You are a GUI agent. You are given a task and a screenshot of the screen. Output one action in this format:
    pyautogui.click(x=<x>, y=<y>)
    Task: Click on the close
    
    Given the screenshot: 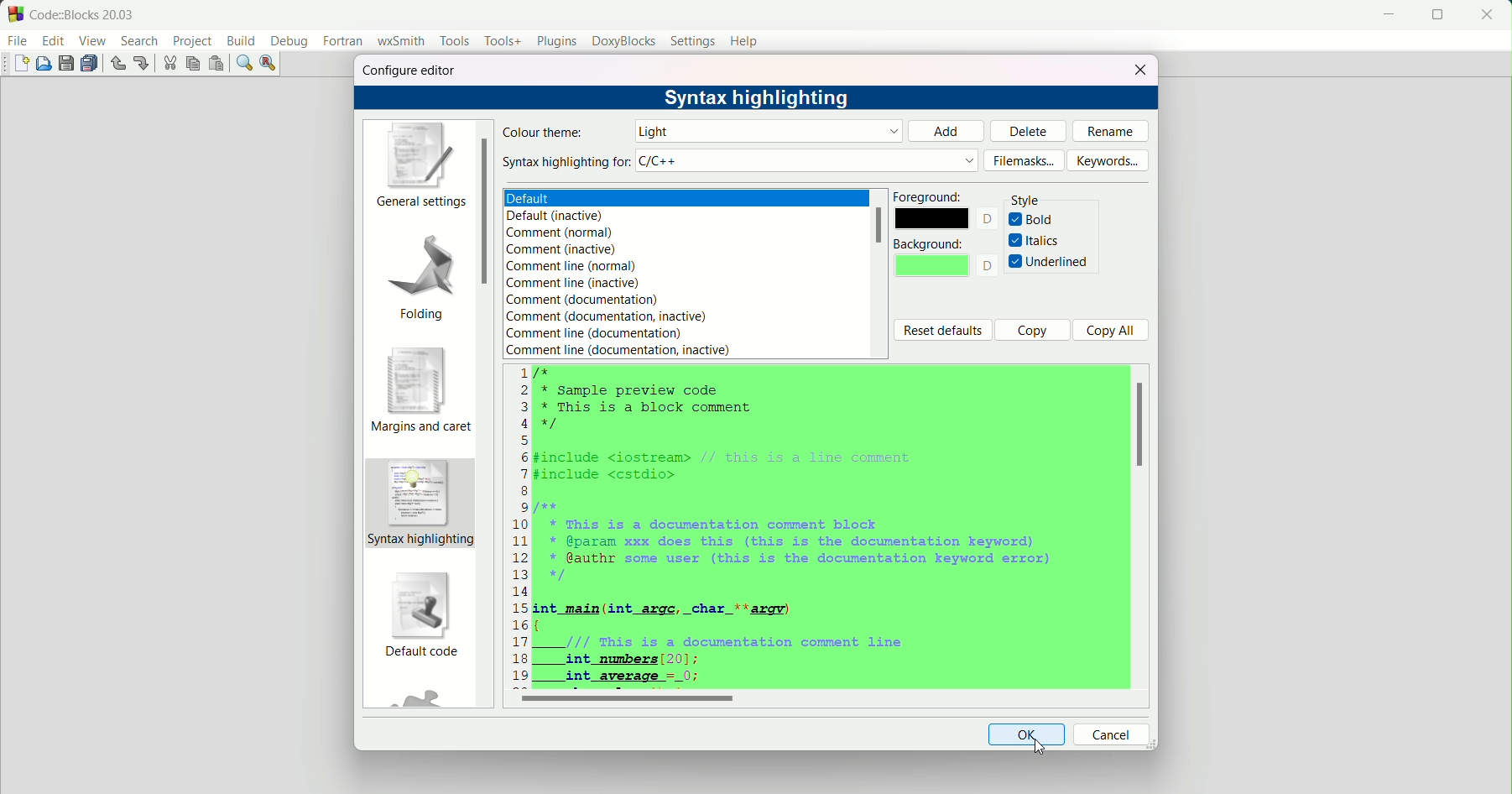 What is the action you would take?
    pyautogui.click(x=1137, y=71)
    